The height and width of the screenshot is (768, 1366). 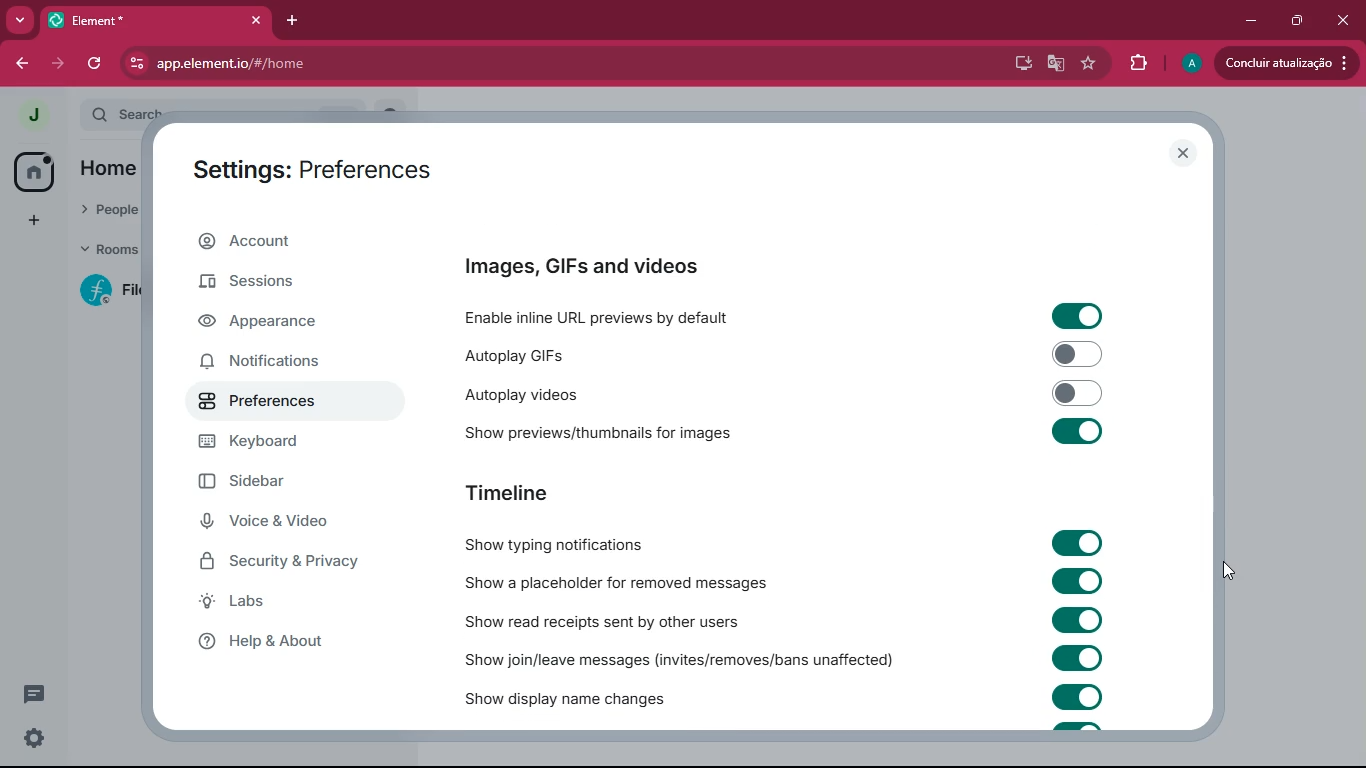 I want to click on favourite, so click(x=1090, y=65).